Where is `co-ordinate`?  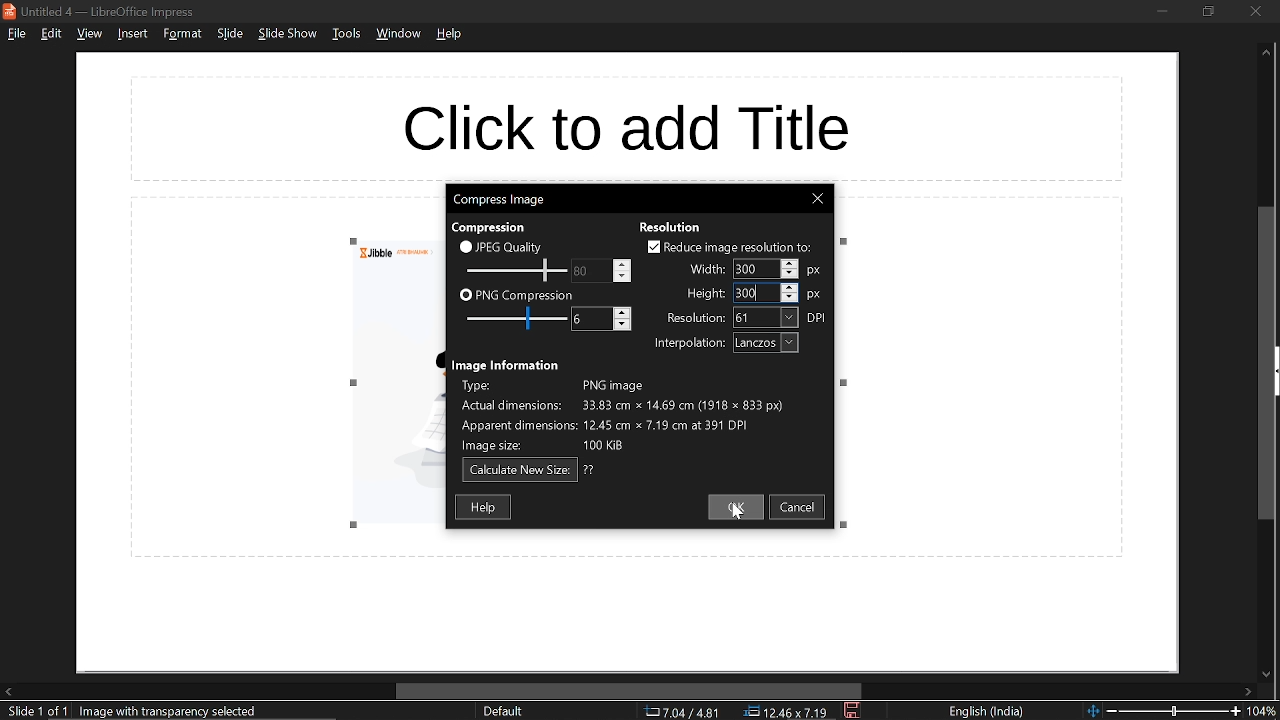
co-ordinate is located at coordinates (682, 712).